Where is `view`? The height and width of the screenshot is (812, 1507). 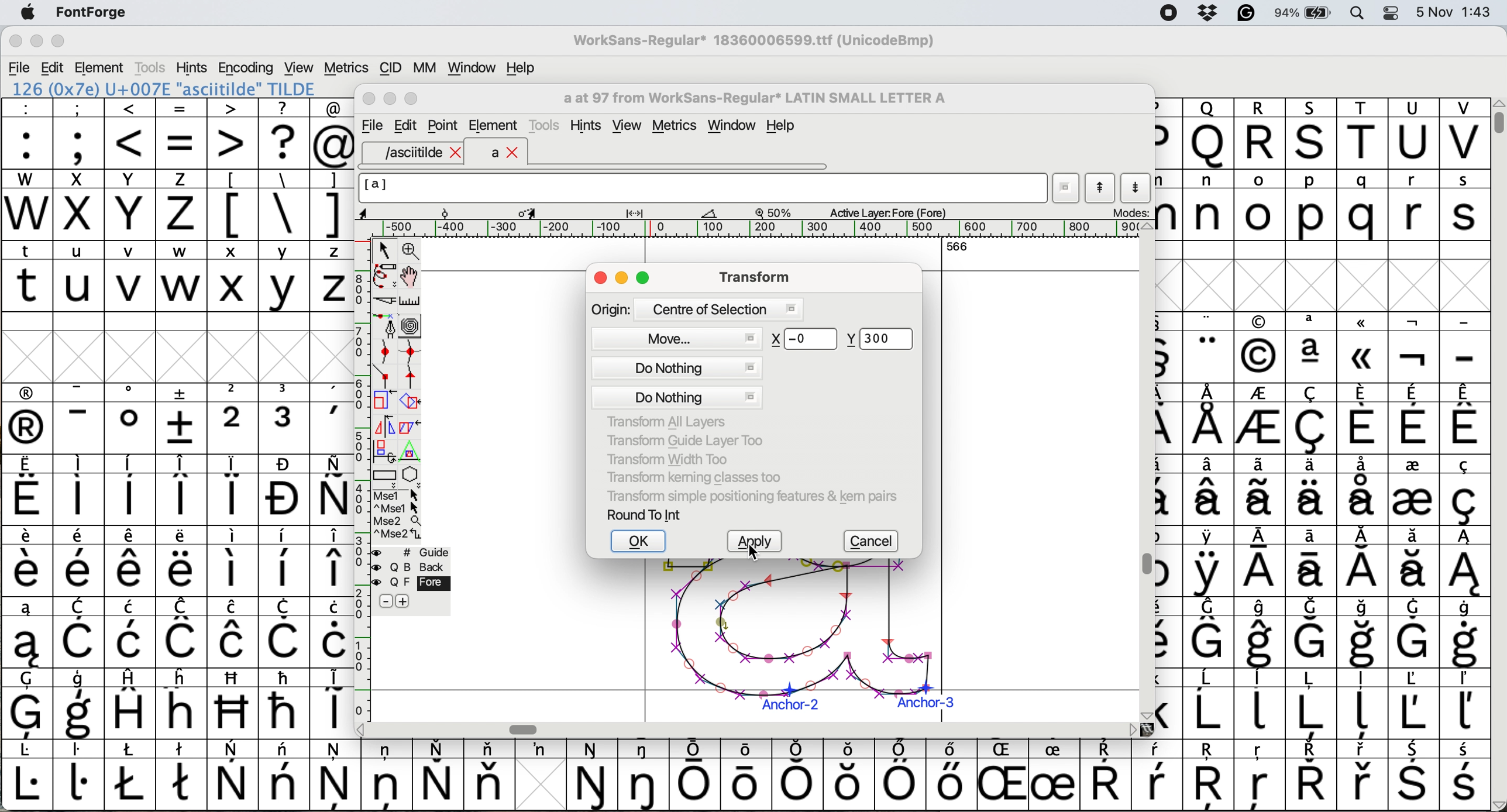
view is located at coordinates (626, 126).